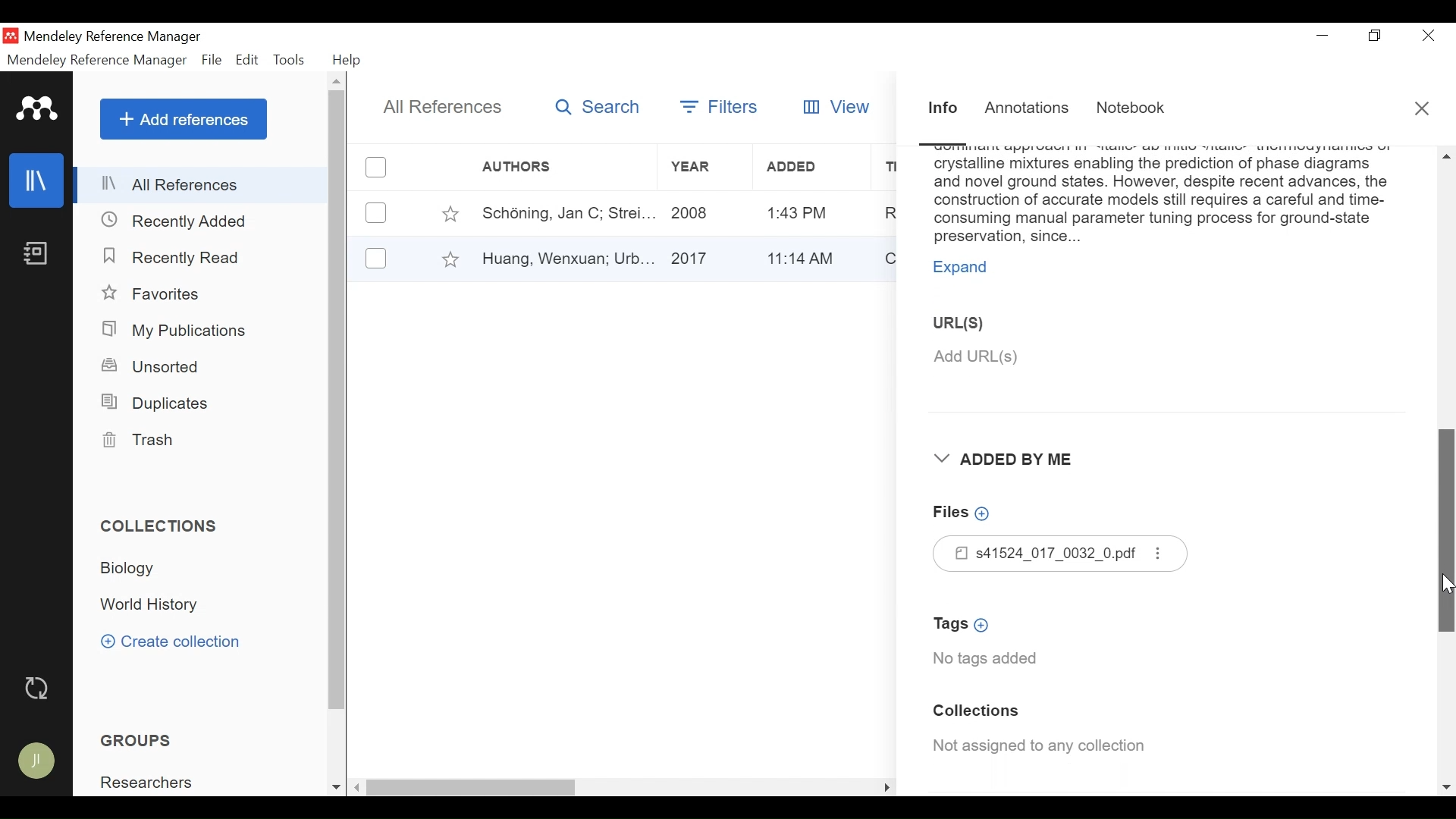  What do you see at coordinates (971, 322) in the screenshot?
I see `URL(S)` at bounding box center [971, 322].